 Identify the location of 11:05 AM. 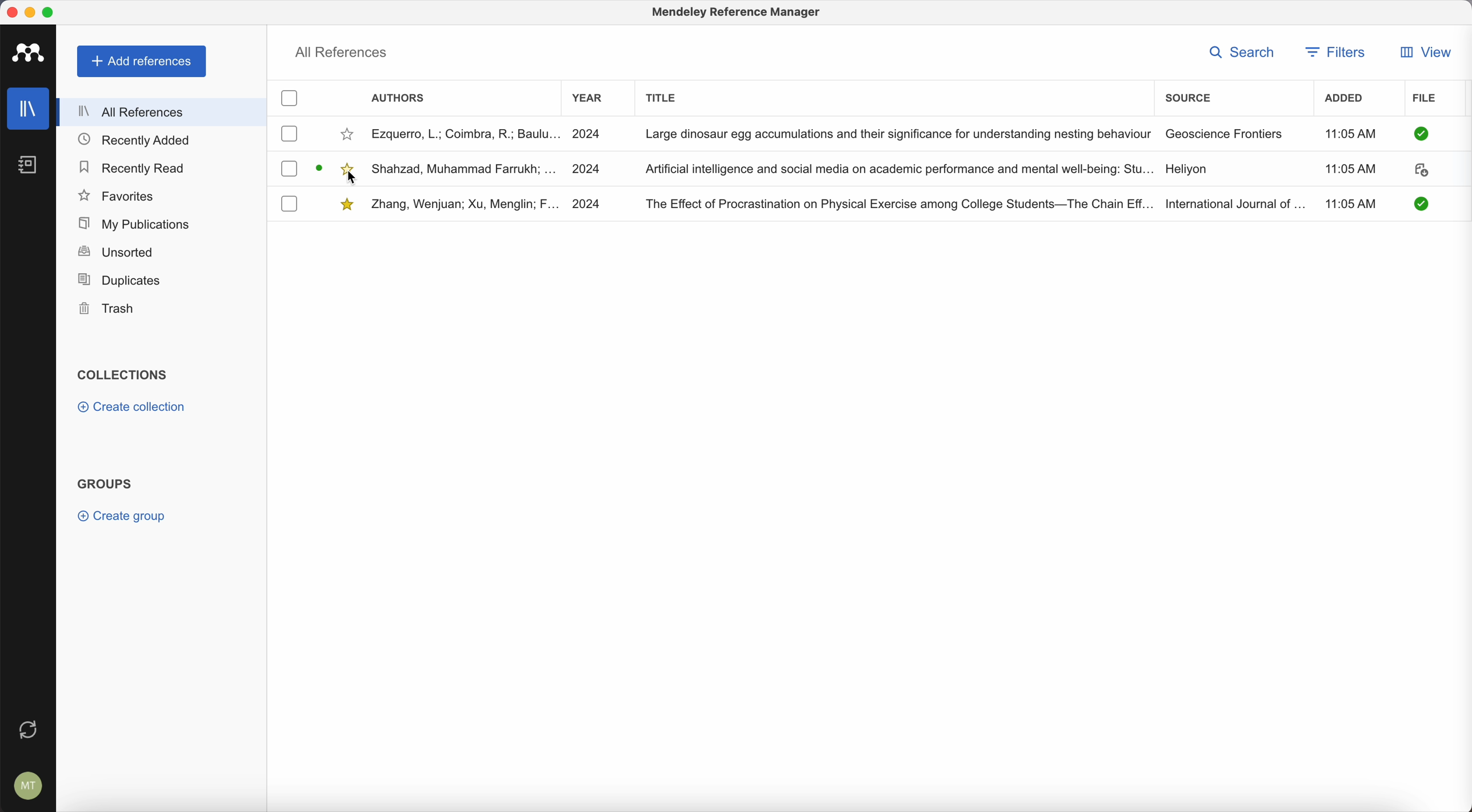
(1349, 134).